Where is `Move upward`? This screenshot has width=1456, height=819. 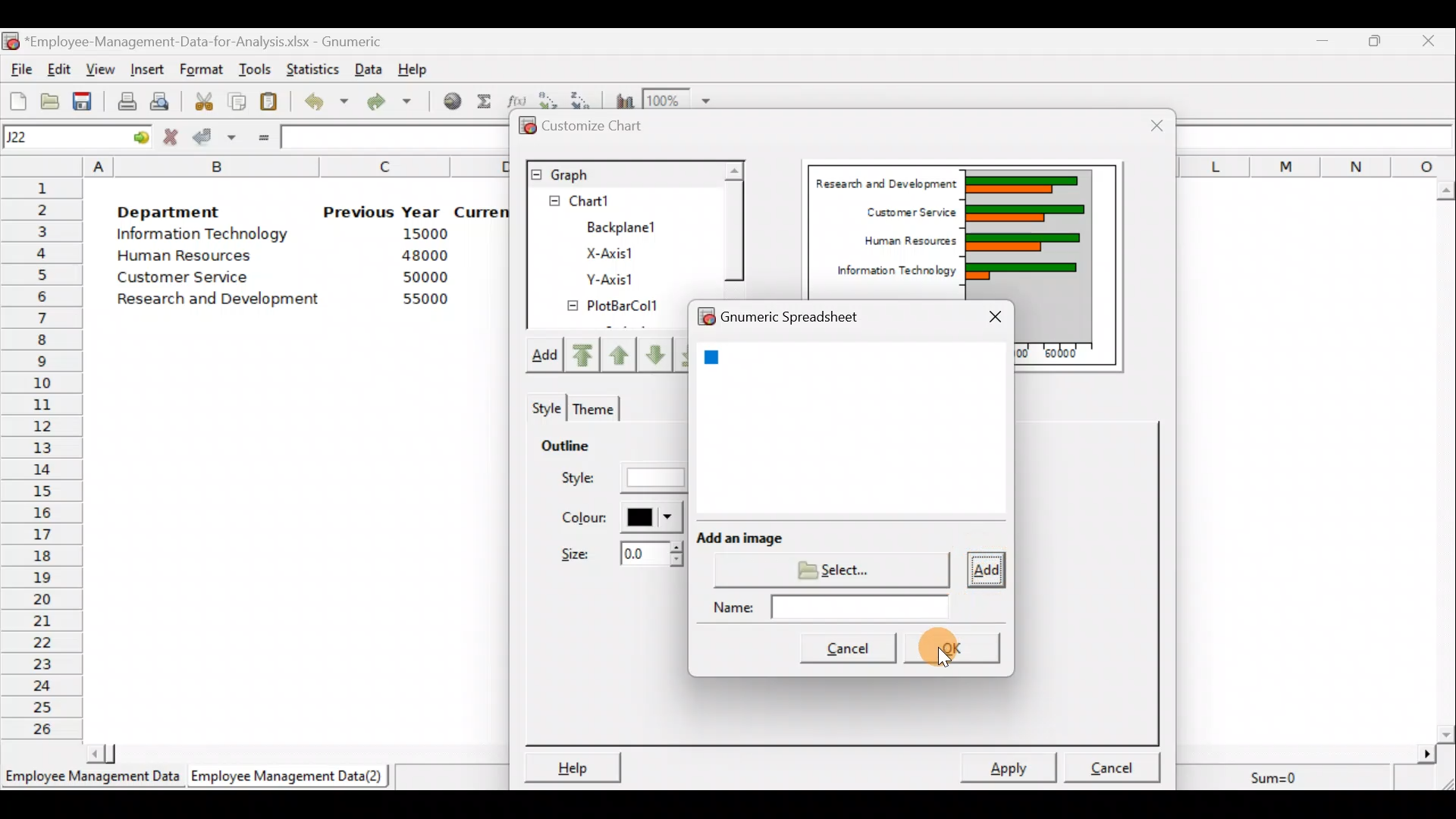 Move upward is located at coordinates (587, 354).